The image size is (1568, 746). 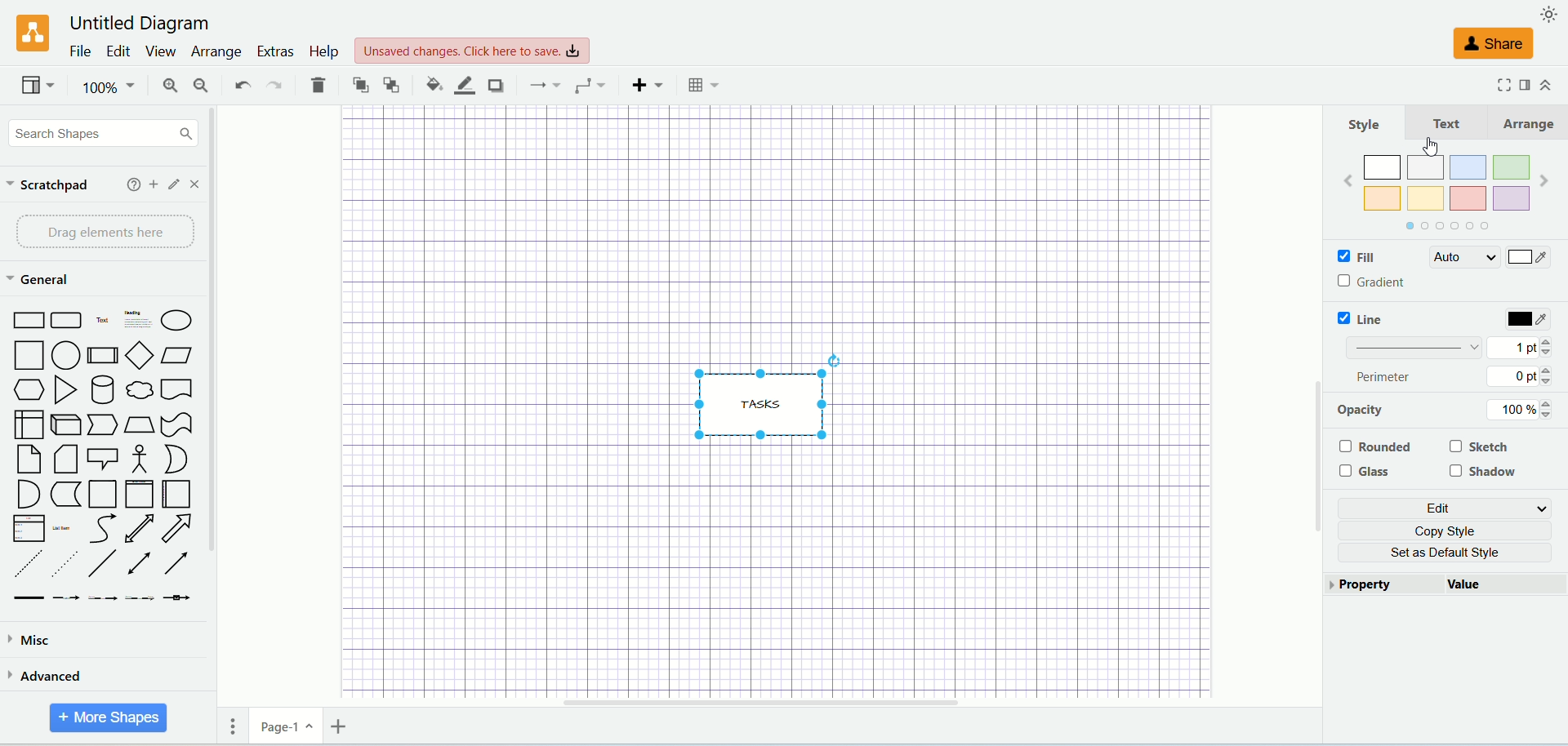 I want to click on vertical scroll bar, so click(x=1317, y=413).